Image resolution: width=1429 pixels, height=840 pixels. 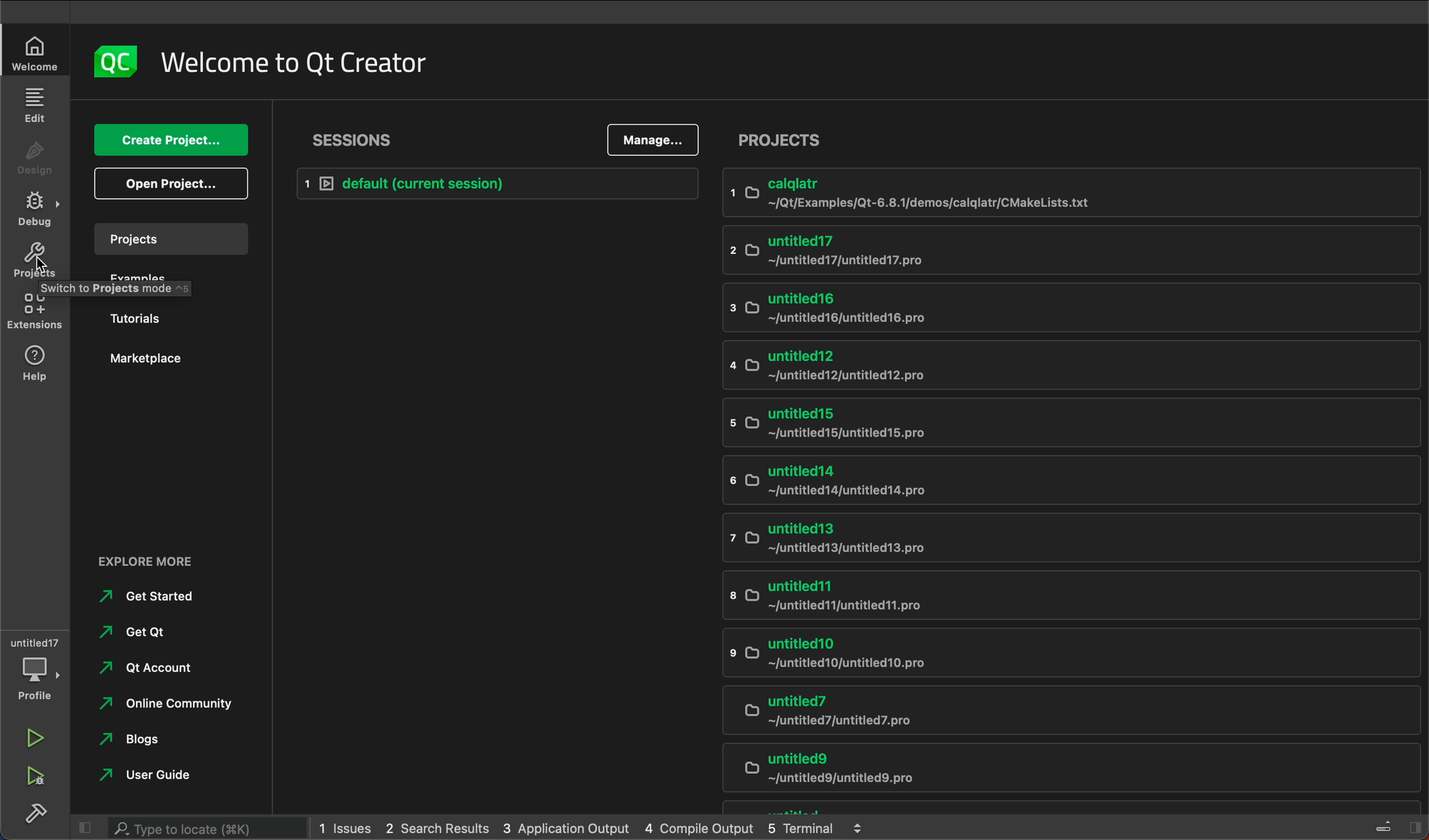 What do you see at coordinates (1065, 193) in the screenshot?
I see `calqlatr` at bounding box center [1065, 193].